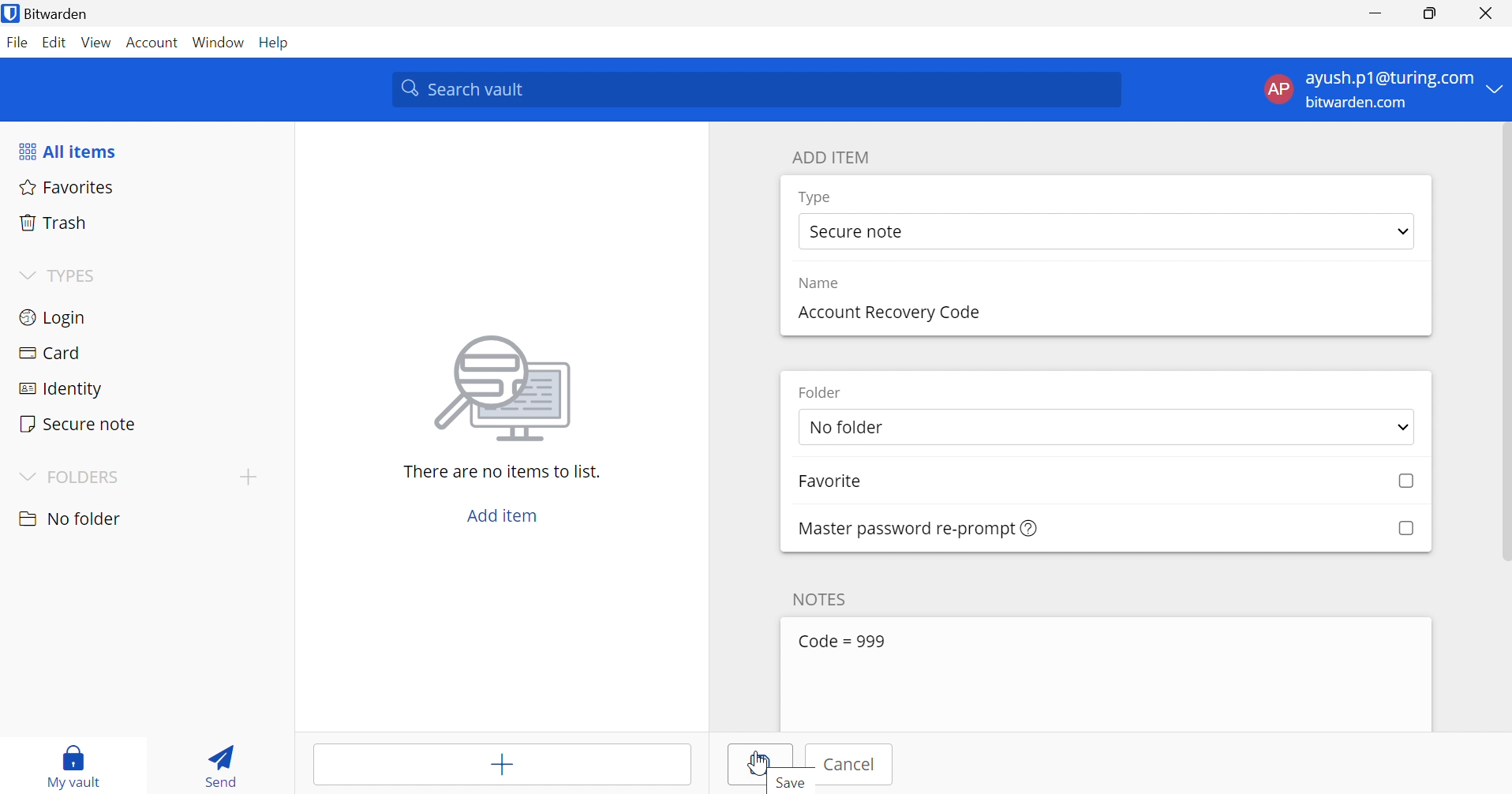  Describe the element at coordinates (1399, 482) in the screenshot. I see `box` at that location.